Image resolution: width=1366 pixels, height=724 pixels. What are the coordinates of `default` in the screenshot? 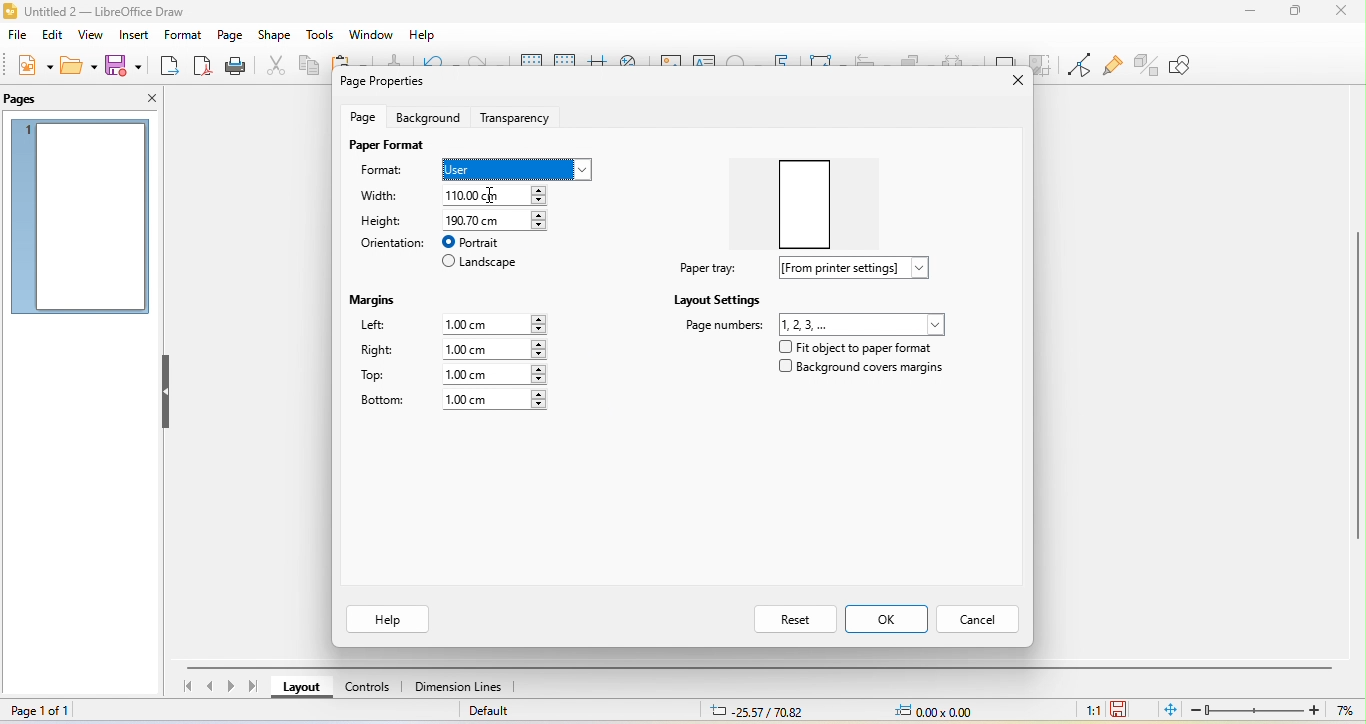 It's located at (501, 713).